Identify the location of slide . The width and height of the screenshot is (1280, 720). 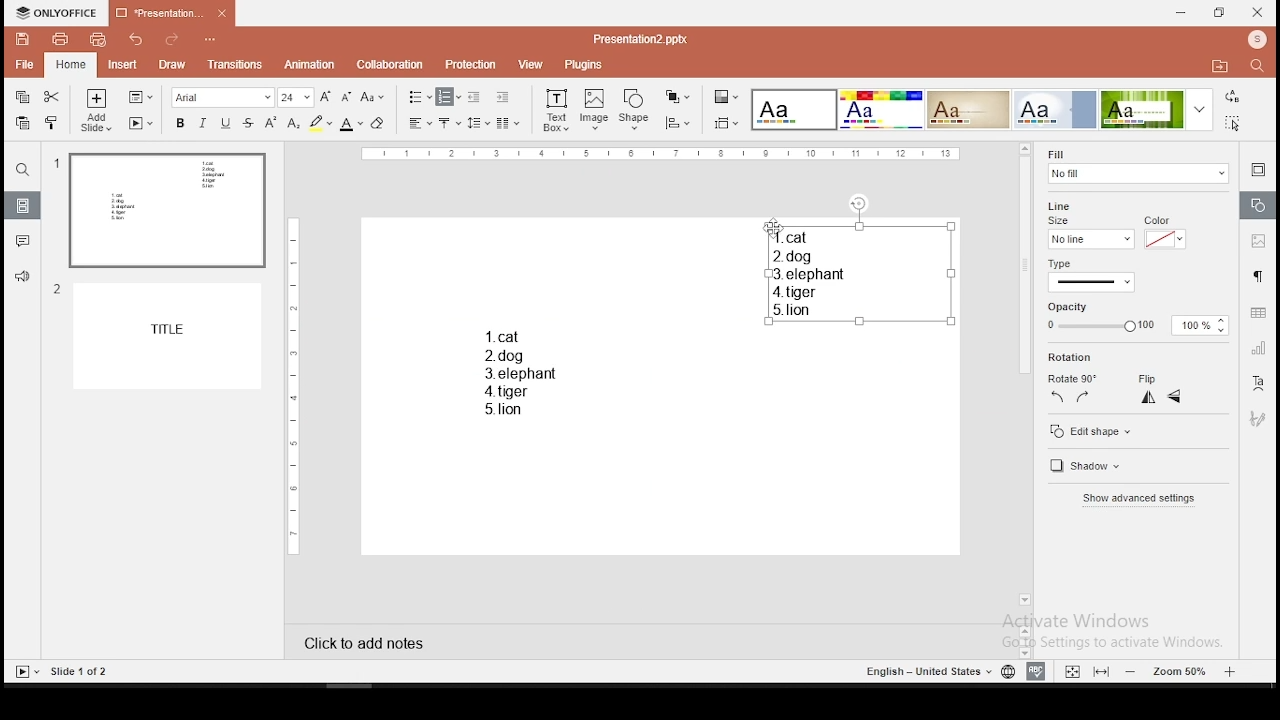
(172, 337).